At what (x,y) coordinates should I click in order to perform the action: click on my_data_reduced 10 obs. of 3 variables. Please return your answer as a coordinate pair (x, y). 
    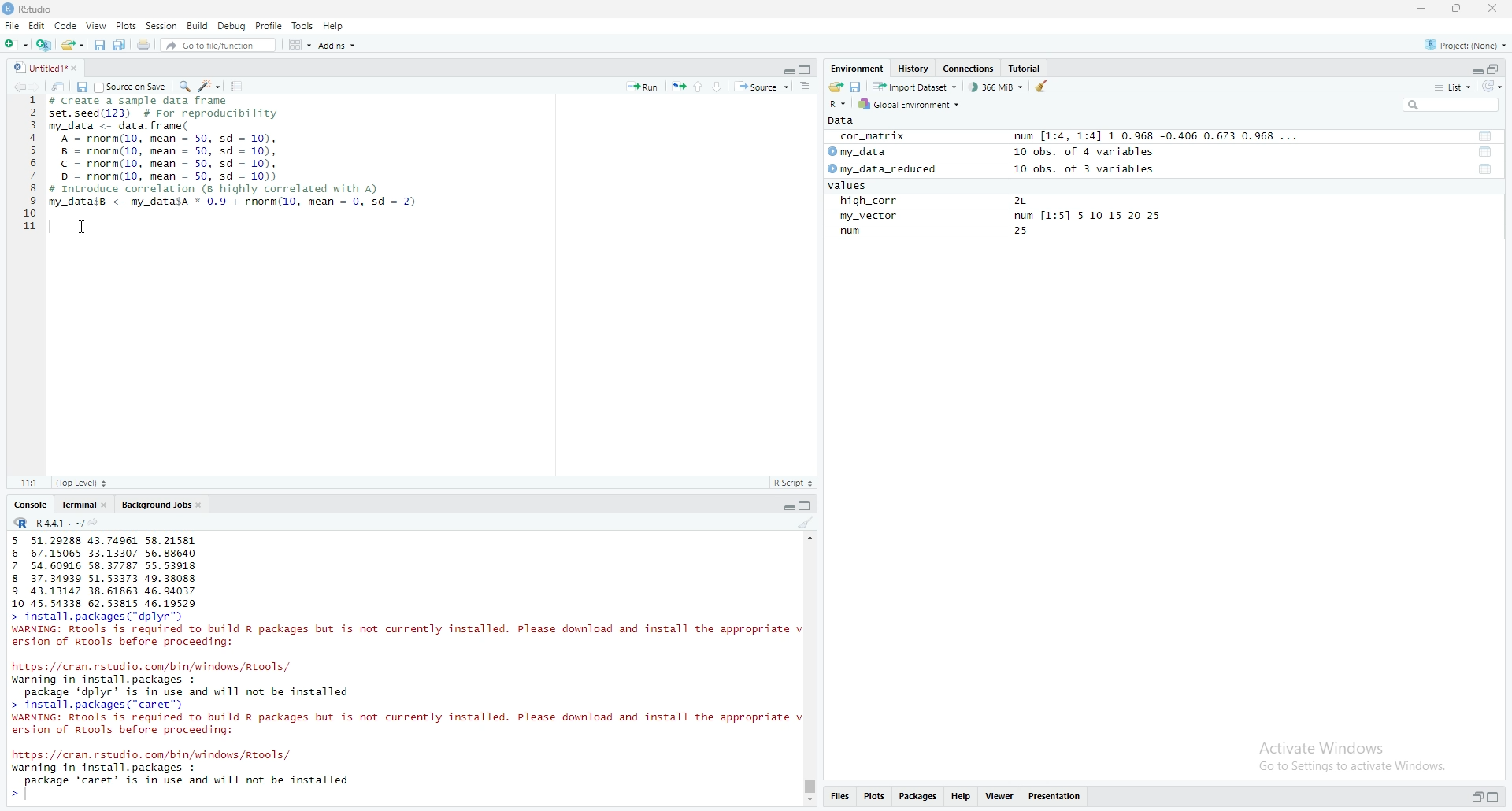
    Looking at the image, I should click on (997, 168).